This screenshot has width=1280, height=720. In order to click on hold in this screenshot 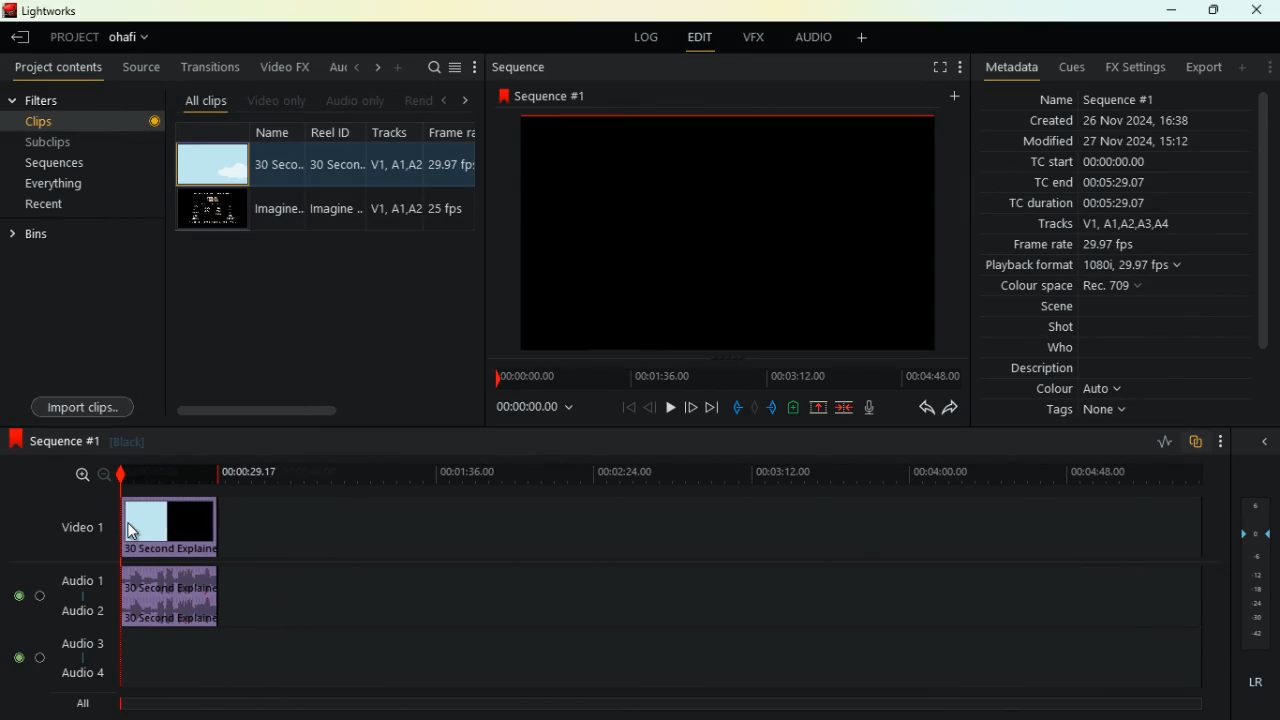, I will do `click(753, 408)`.